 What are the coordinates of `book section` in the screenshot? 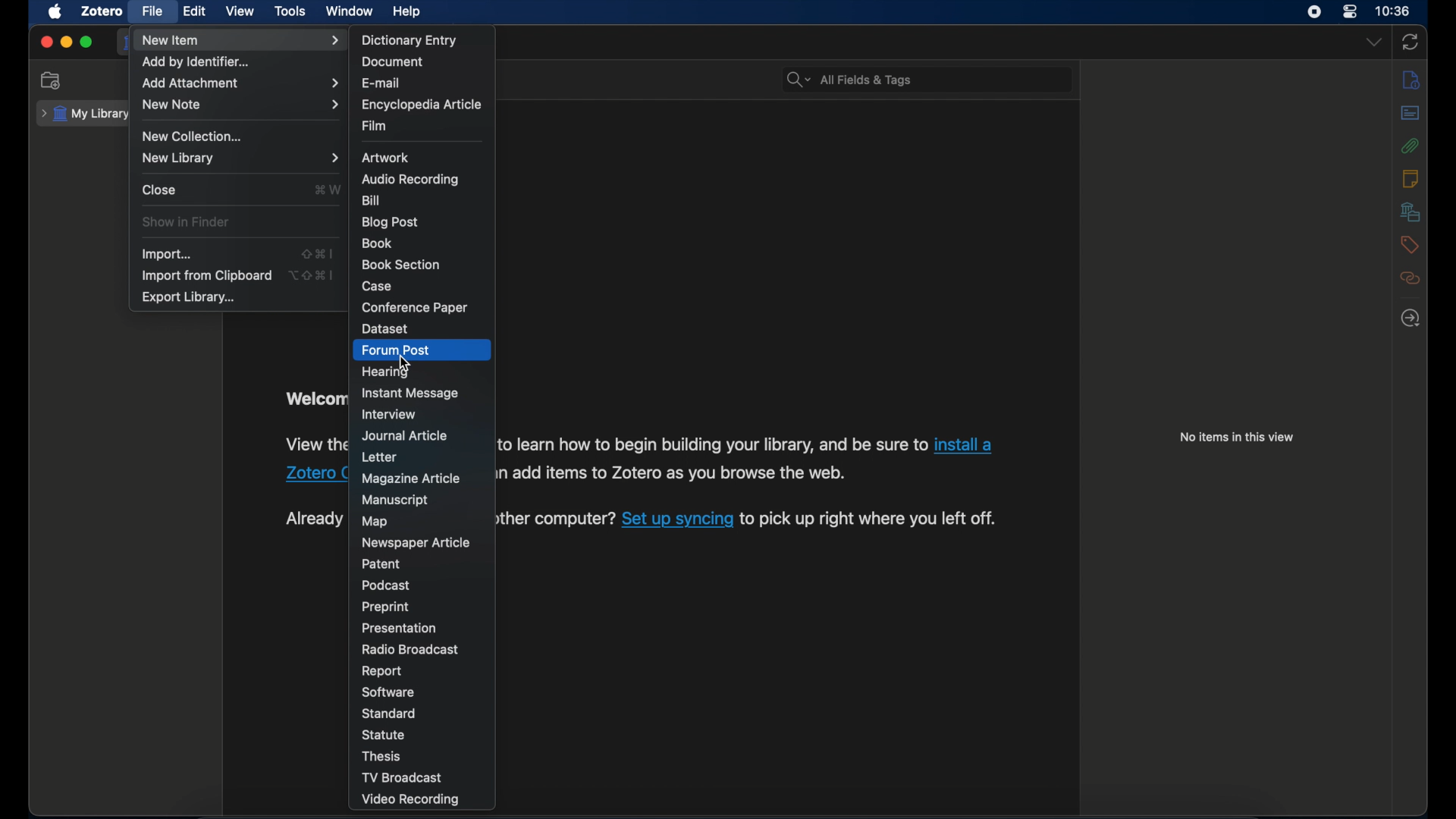 It's located at (400, 265).